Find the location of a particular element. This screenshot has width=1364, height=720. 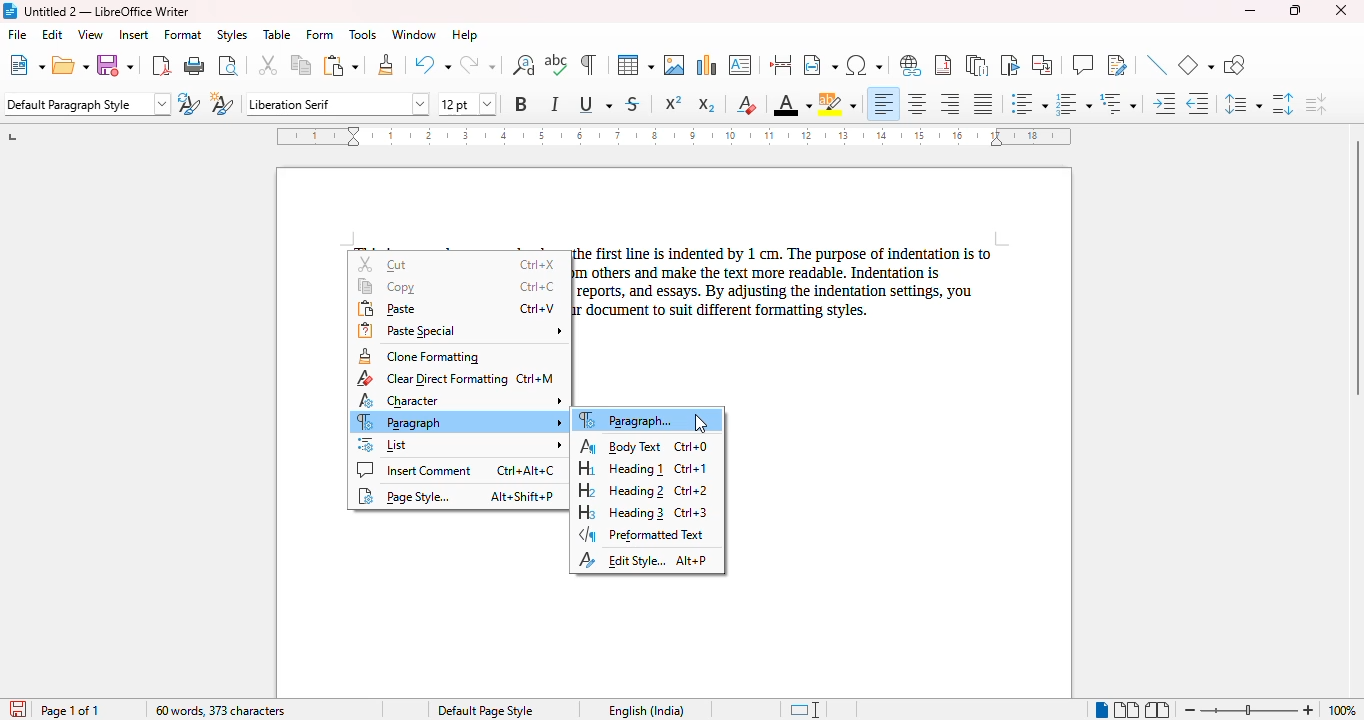

select outline format is located at coordinates (1119, 103).